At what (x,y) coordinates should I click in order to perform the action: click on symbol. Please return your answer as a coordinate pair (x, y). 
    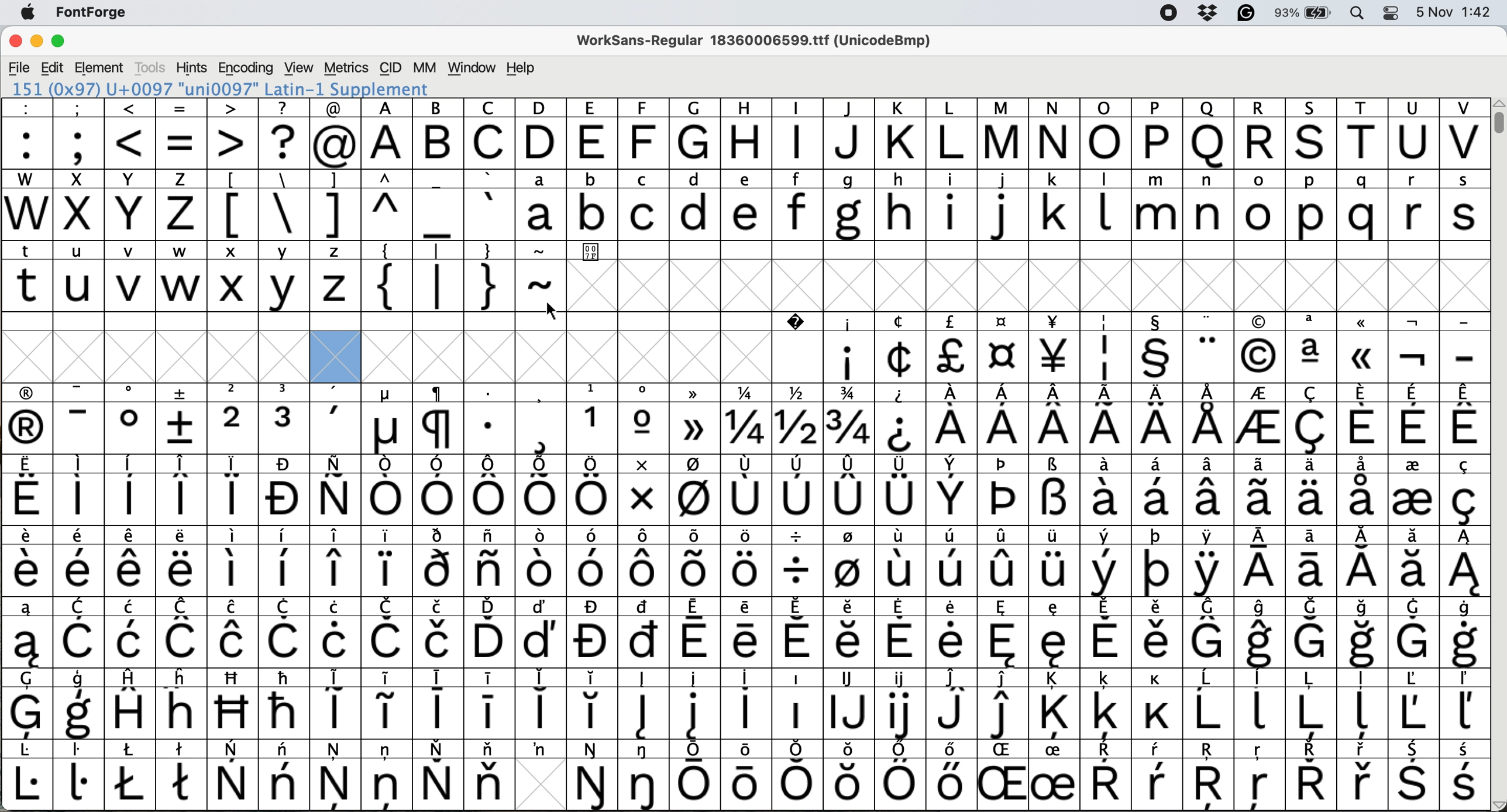
    Looking at the image, I should click on (644, 419).